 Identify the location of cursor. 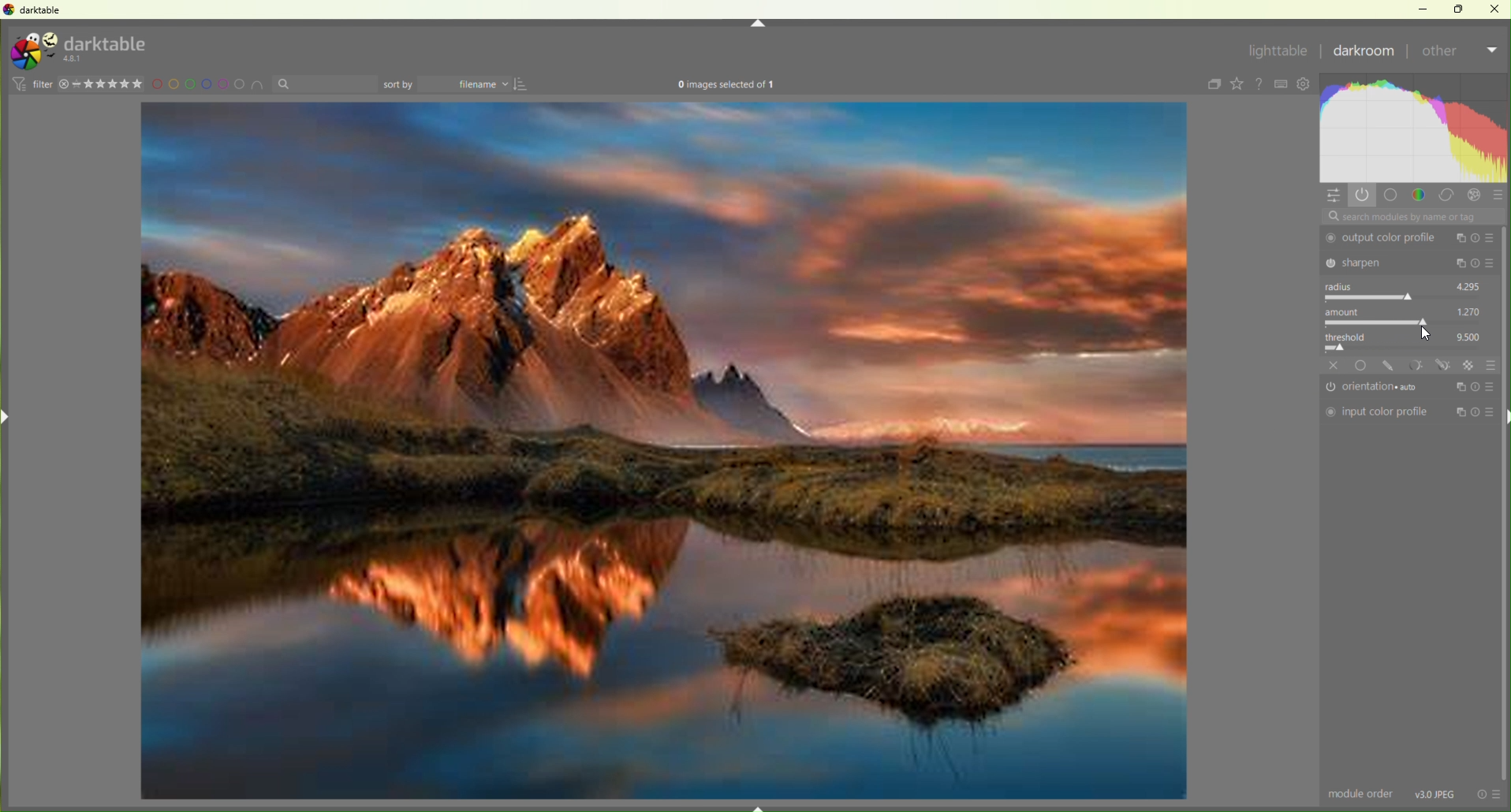
(1420, 333).